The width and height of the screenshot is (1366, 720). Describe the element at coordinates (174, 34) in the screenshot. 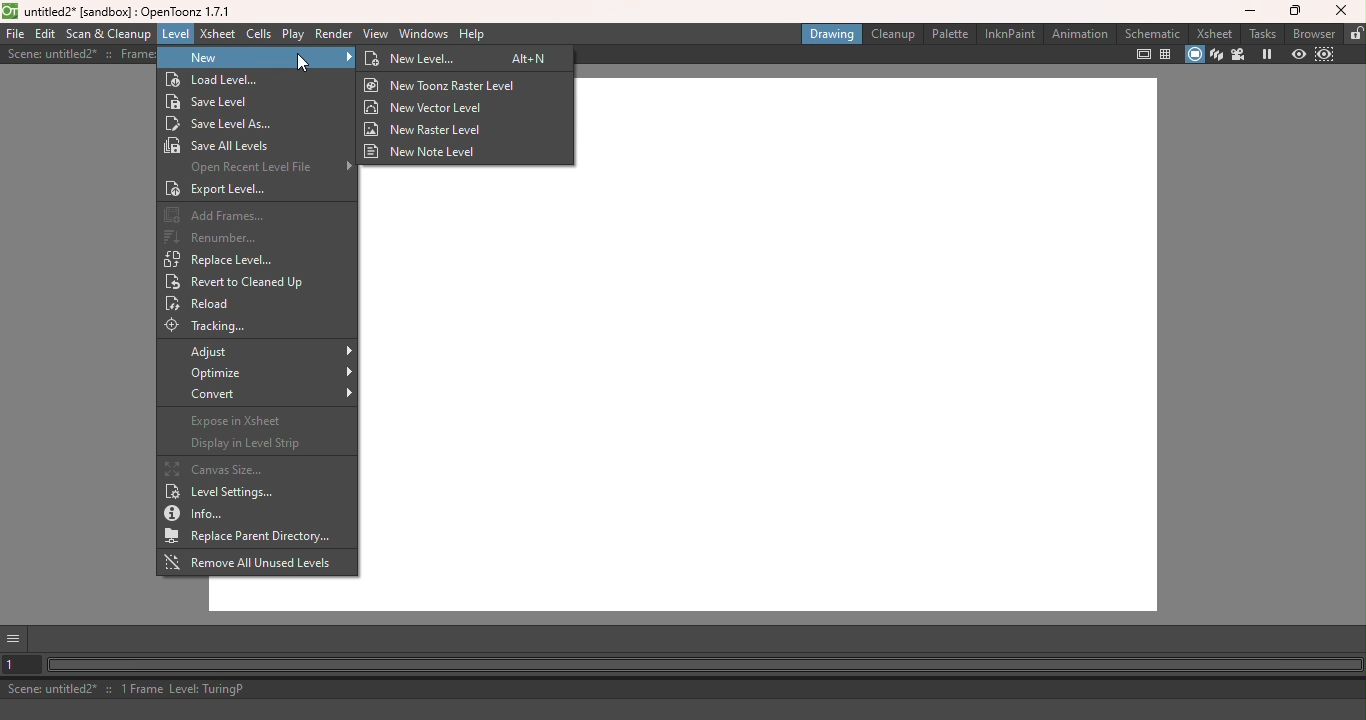

I see `Level` at that location.